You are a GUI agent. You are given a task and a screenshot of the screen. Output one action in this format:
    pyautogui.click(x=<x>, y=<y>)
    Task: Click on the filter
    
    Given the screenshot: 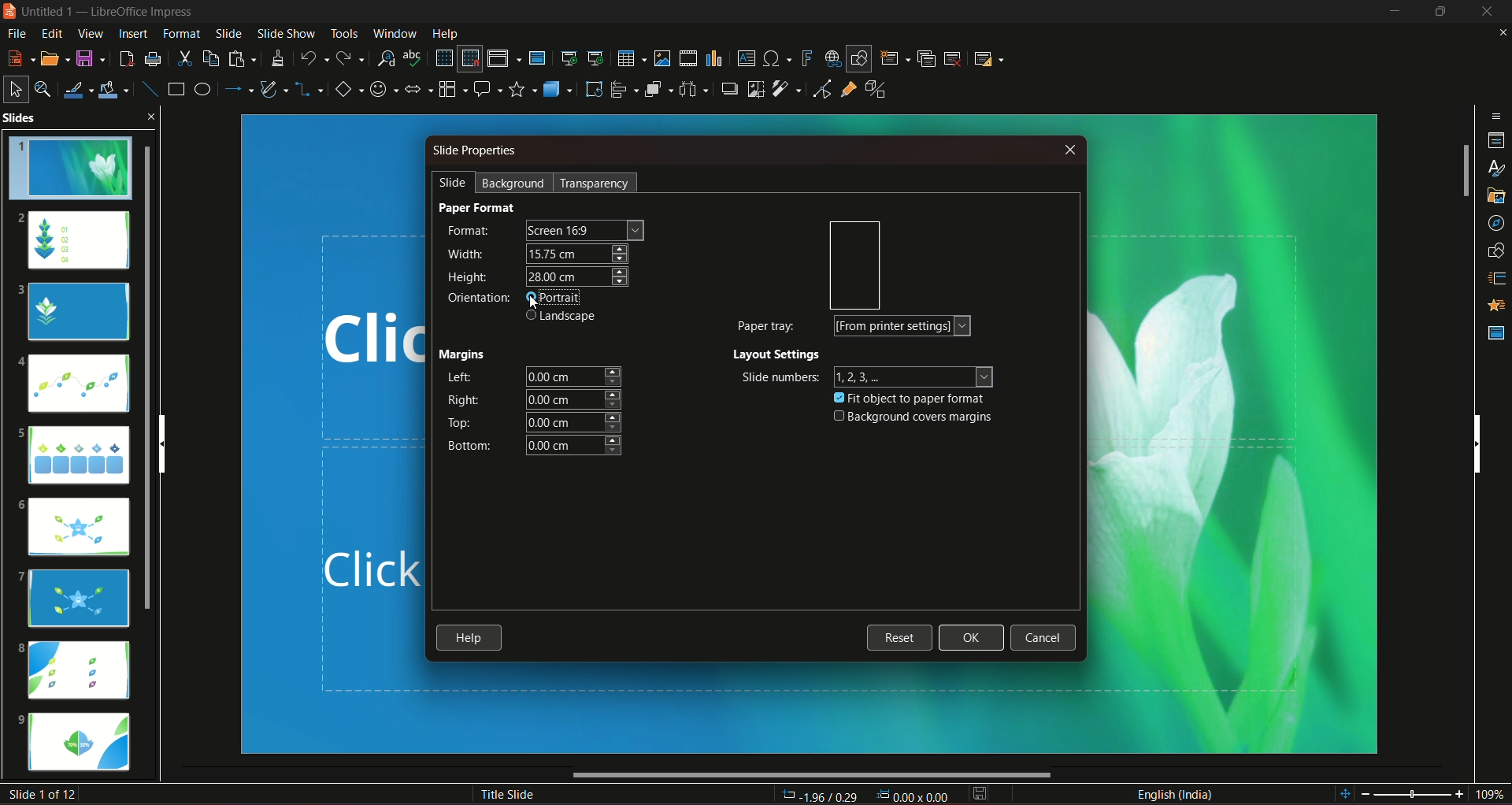 What is the action you would take?
    pyautogui.click(x=785, y=89)
    